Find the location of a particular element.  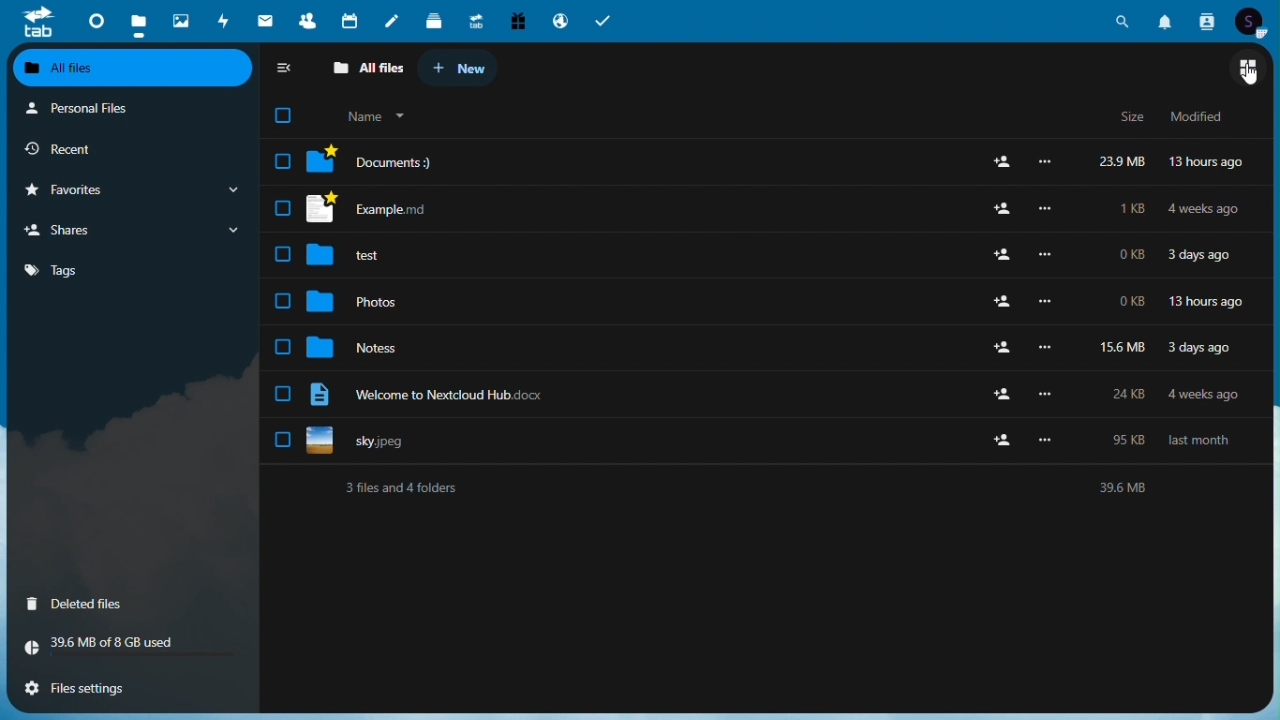

storage is located at coordinates (127, 645).